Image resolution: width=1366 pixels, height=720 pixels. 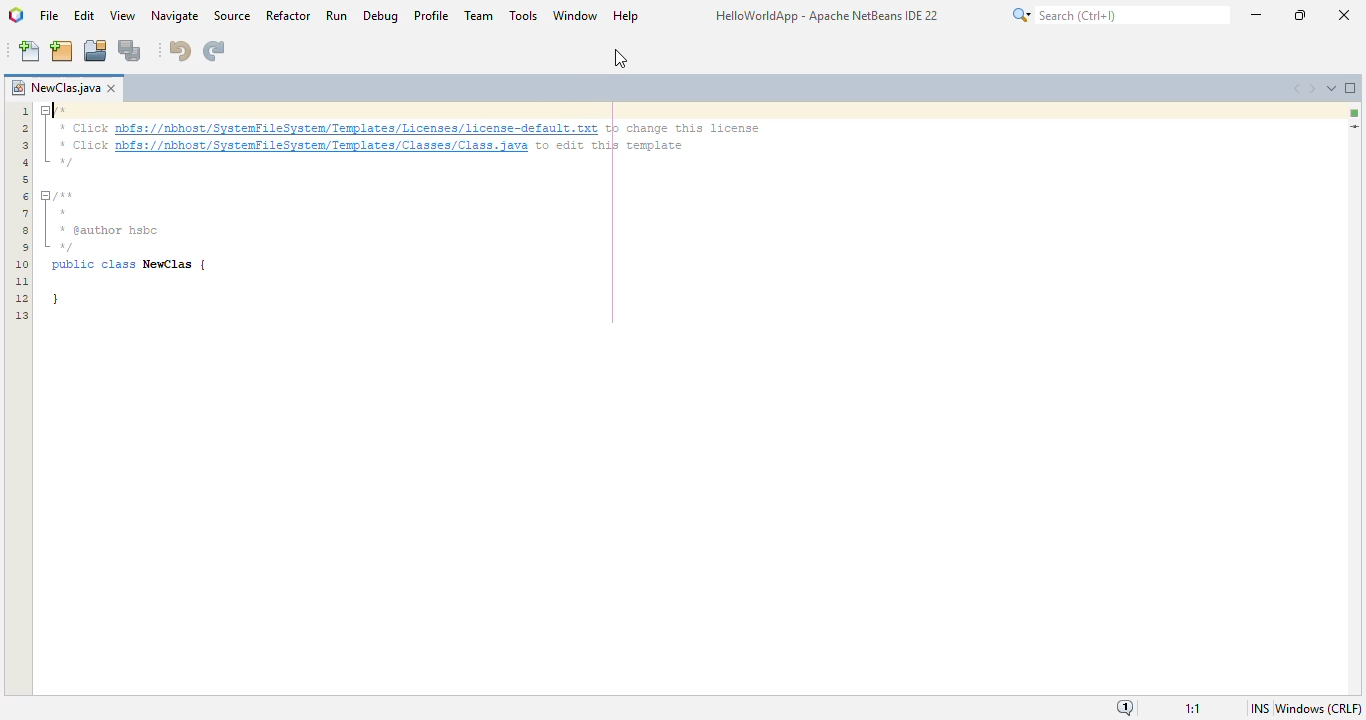 I want to click on profile, so click(x=432, y=15).